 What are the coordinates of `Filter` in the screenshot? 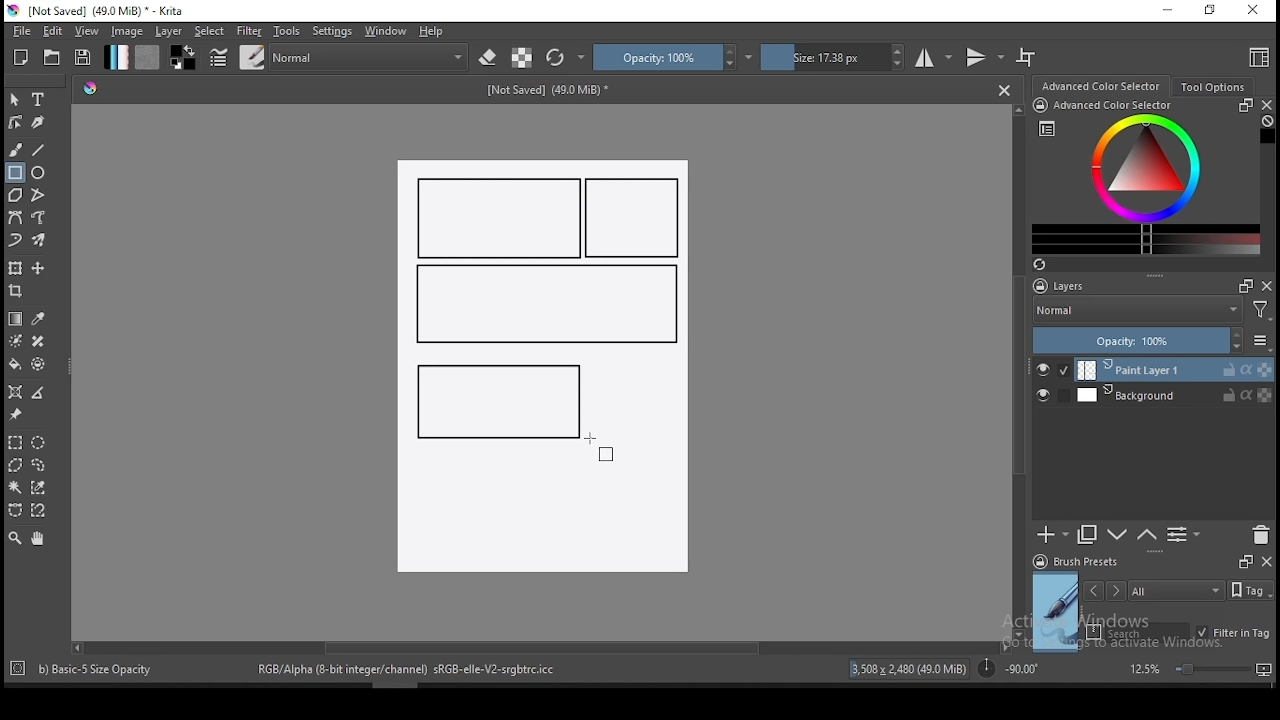 It's located at (1261, 313).